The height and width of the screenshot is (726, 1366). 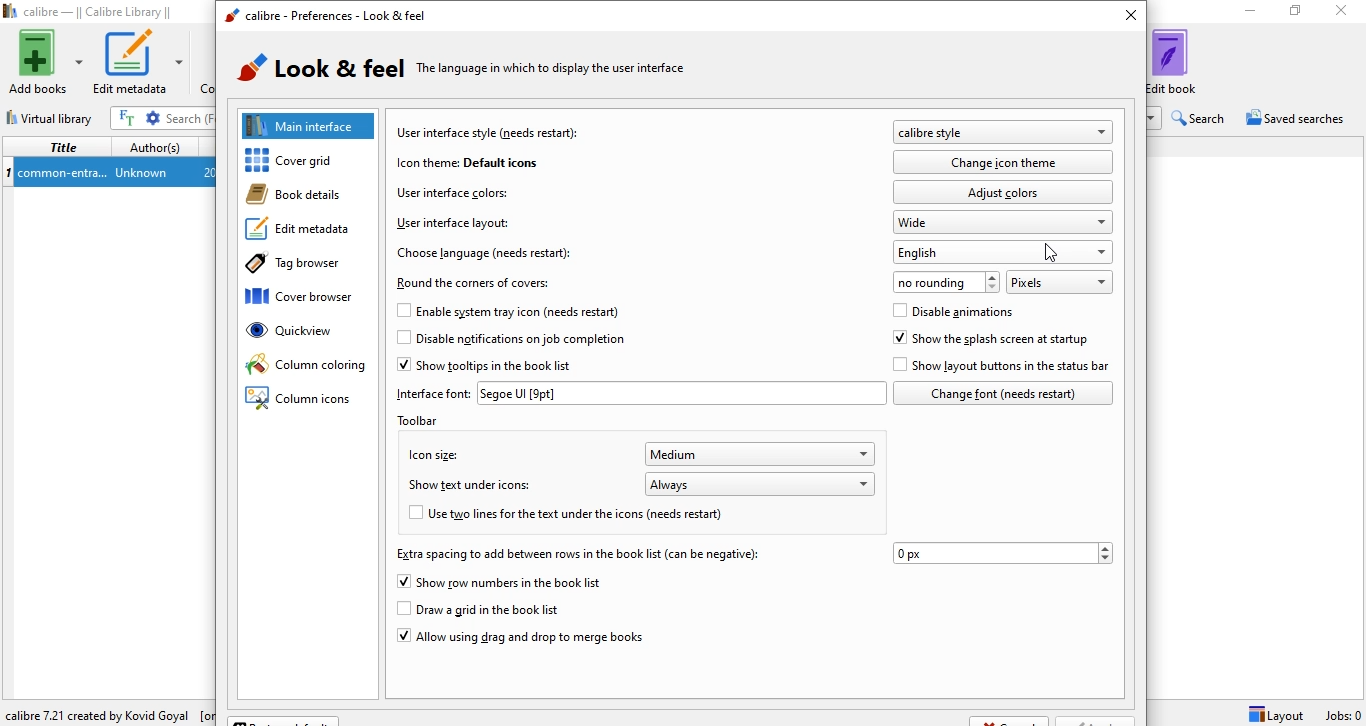 What do you see at coordinates (486, 252) in the screenshot?
I see `choose language (needs restart)` at bounding box center [486, 252].